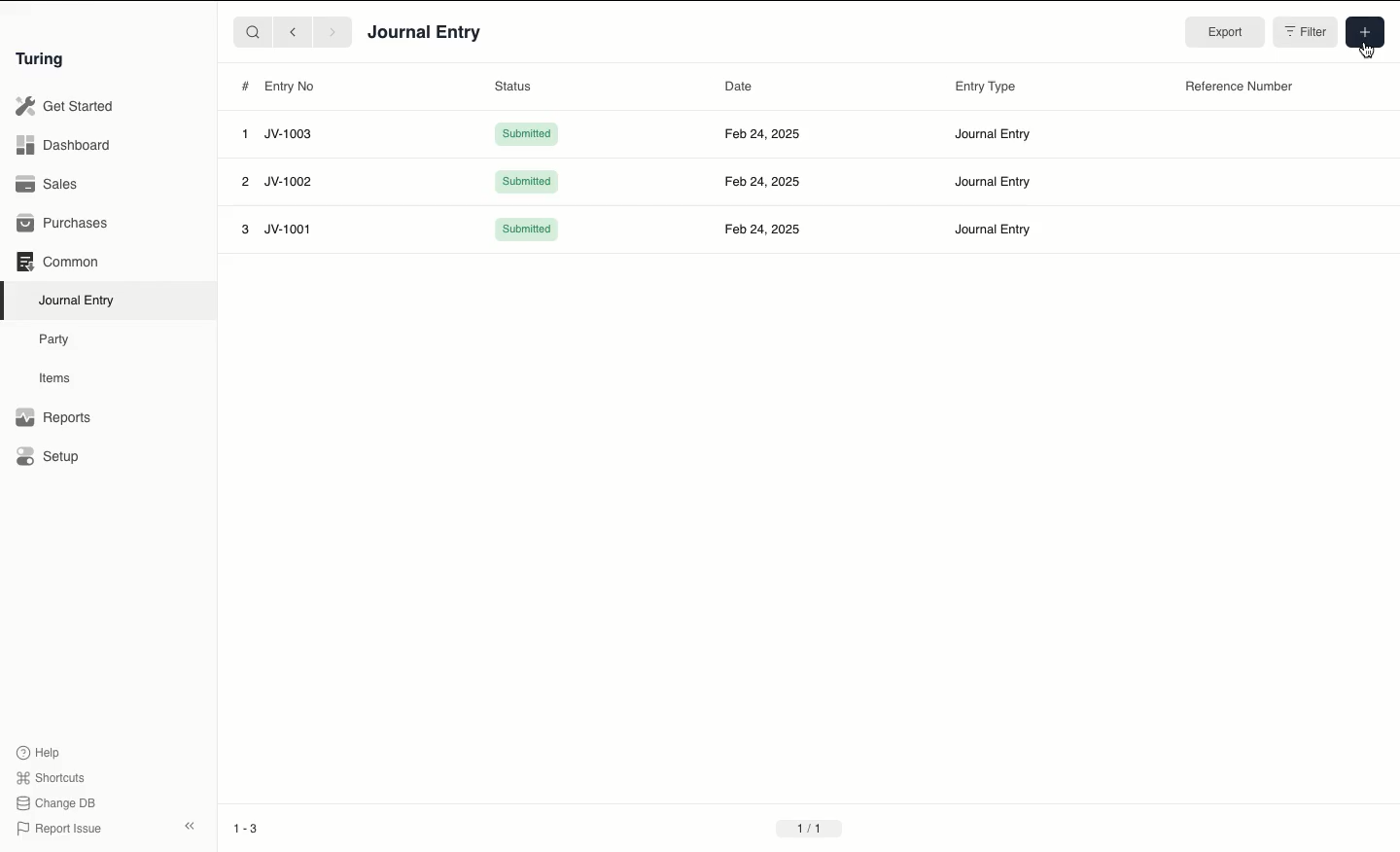  Describe the element at coordinates (761, 133) in the screenshot. I see `Feb 24, 2025` at that location.